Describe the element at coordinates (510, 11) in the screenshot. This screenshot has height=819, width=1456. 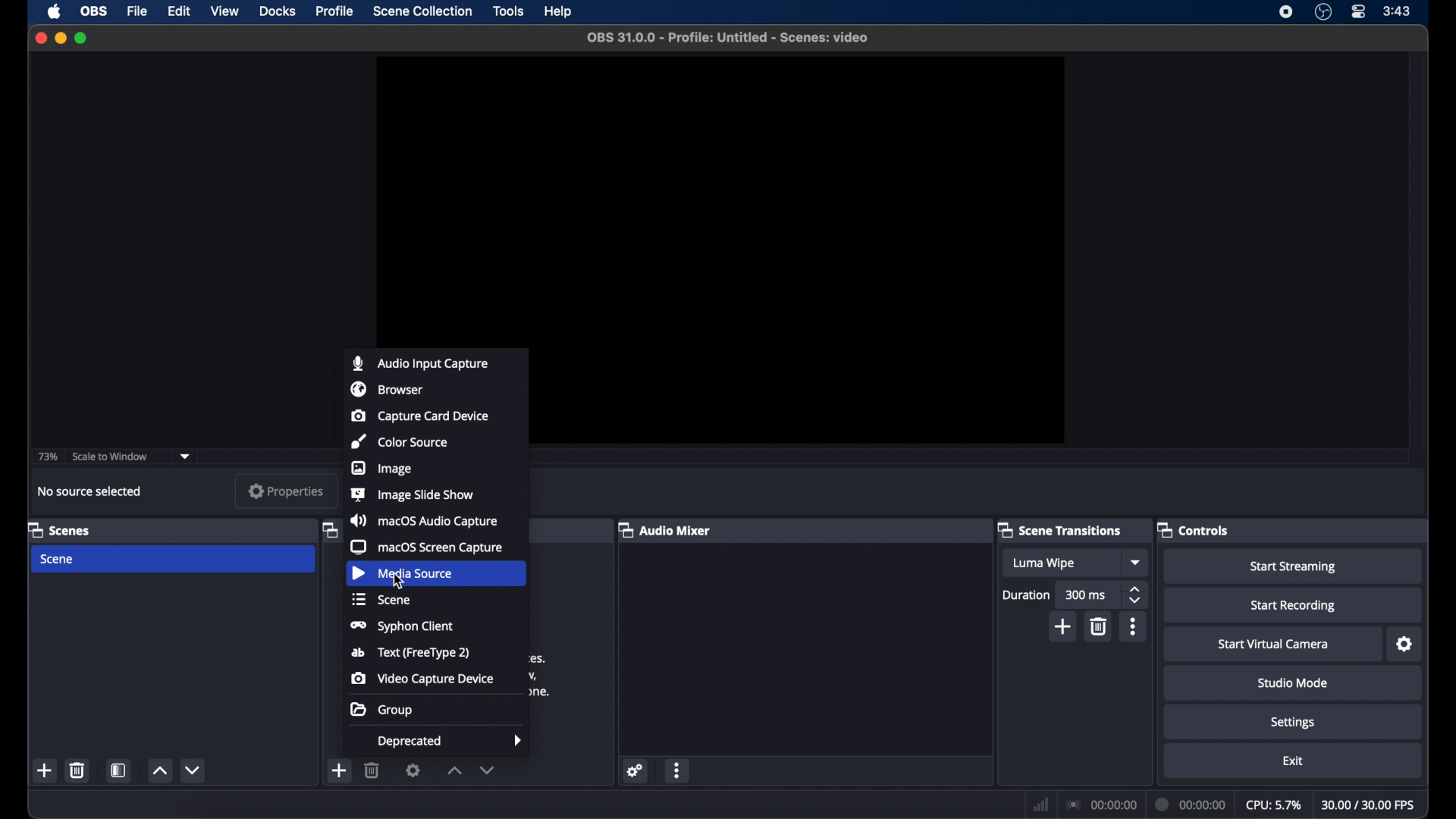
I see `tools` at that location.